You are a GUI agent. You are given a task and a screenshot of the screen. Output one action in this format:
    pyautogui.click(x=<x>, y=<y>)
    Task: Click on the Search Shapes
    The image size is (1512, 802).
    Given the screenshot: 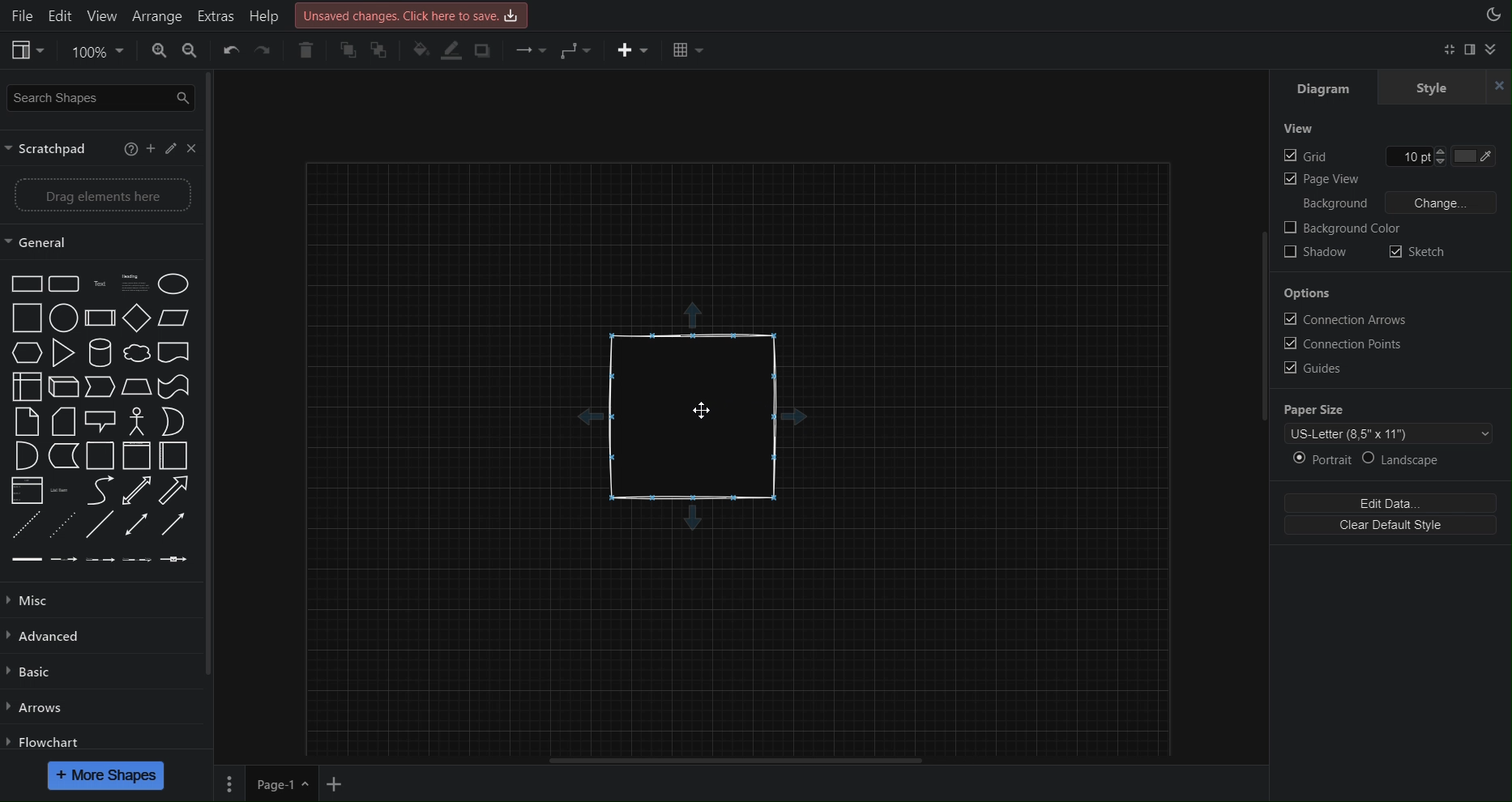 What is the action you would take?
    pyautogui.click(x=99, y=97)
    